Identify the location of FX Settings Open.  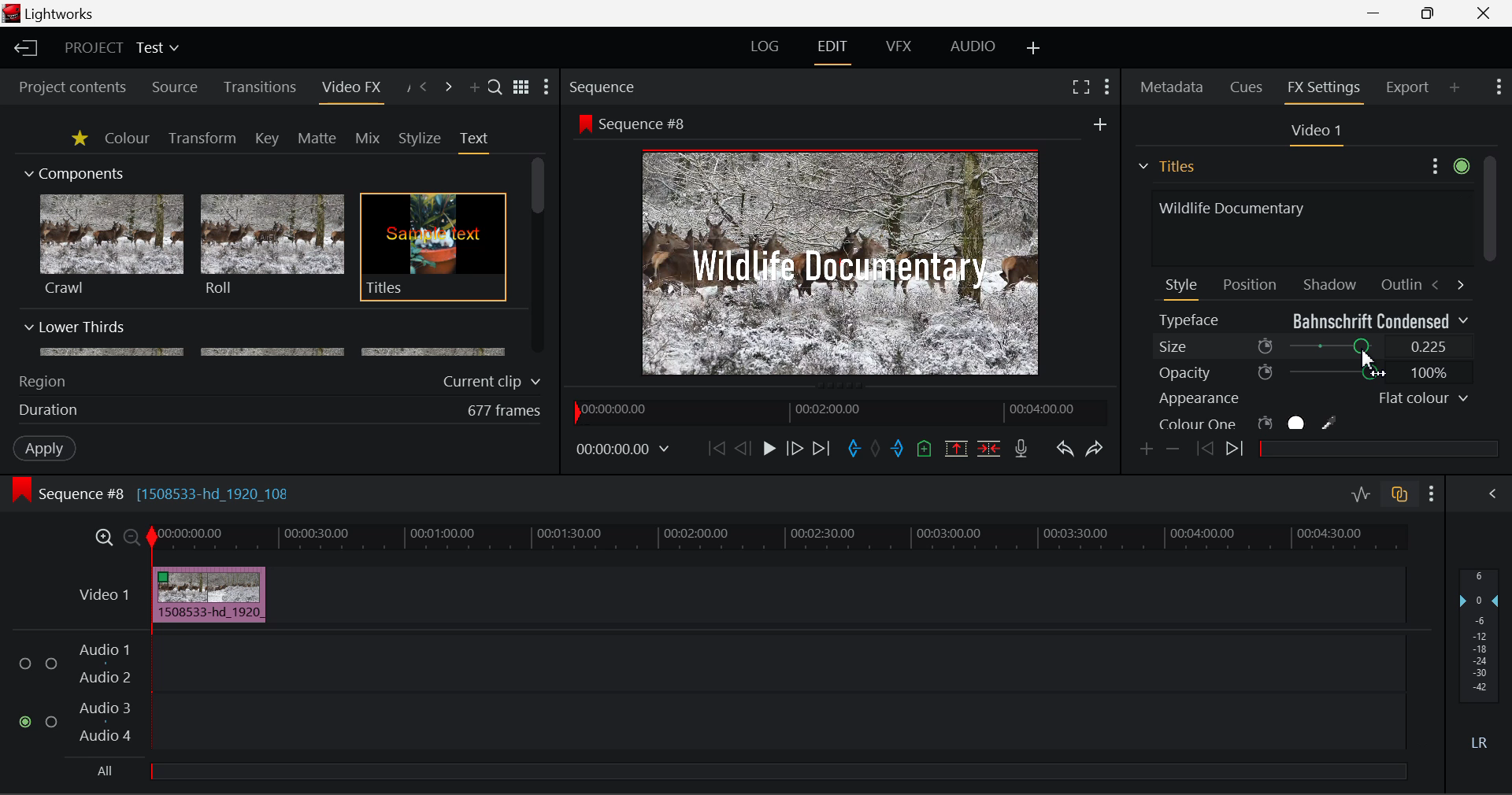
(1326, 90).